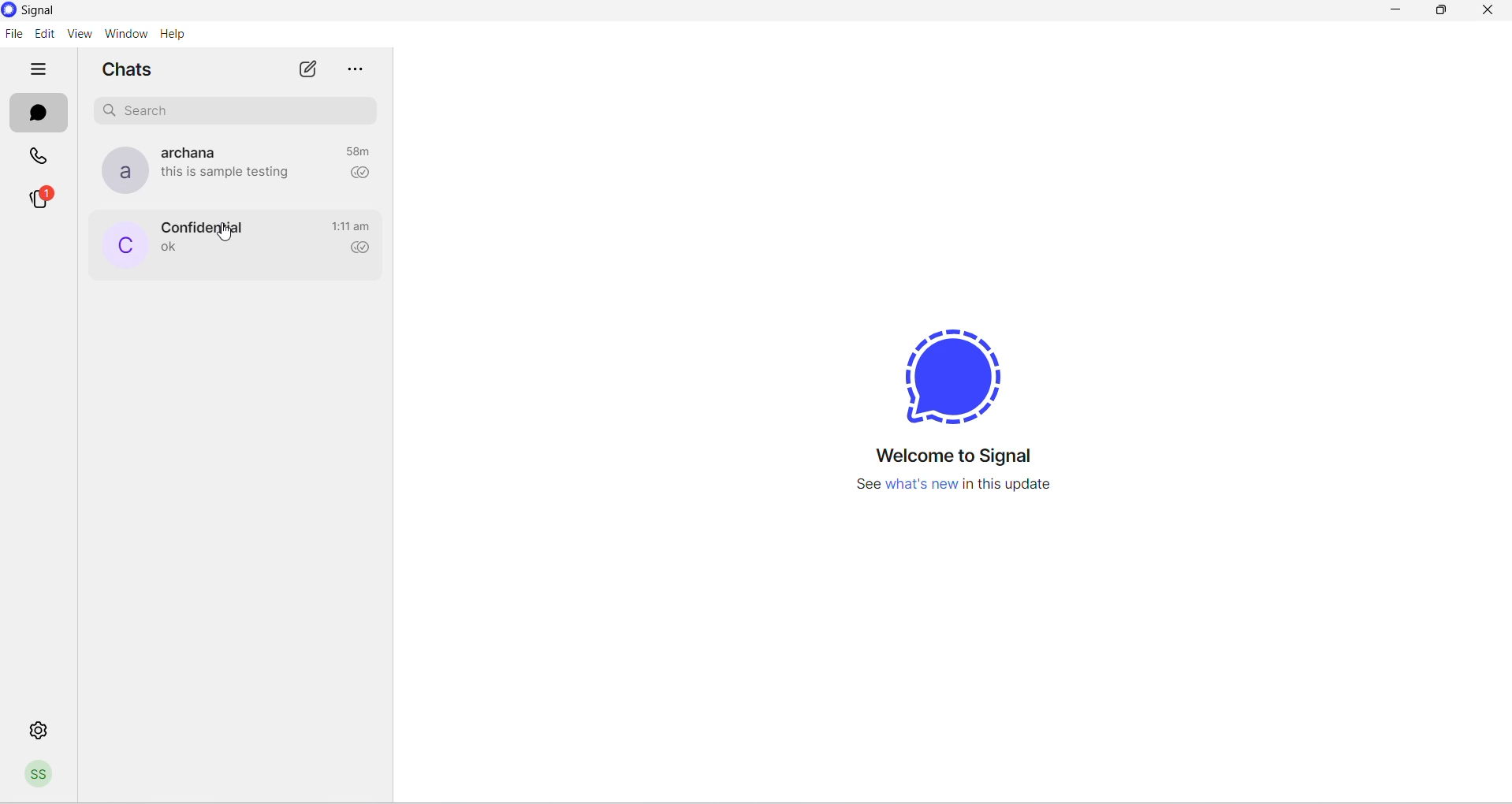 The image size is (1512, 804). I want to click on signal logo, so click(959, 368).